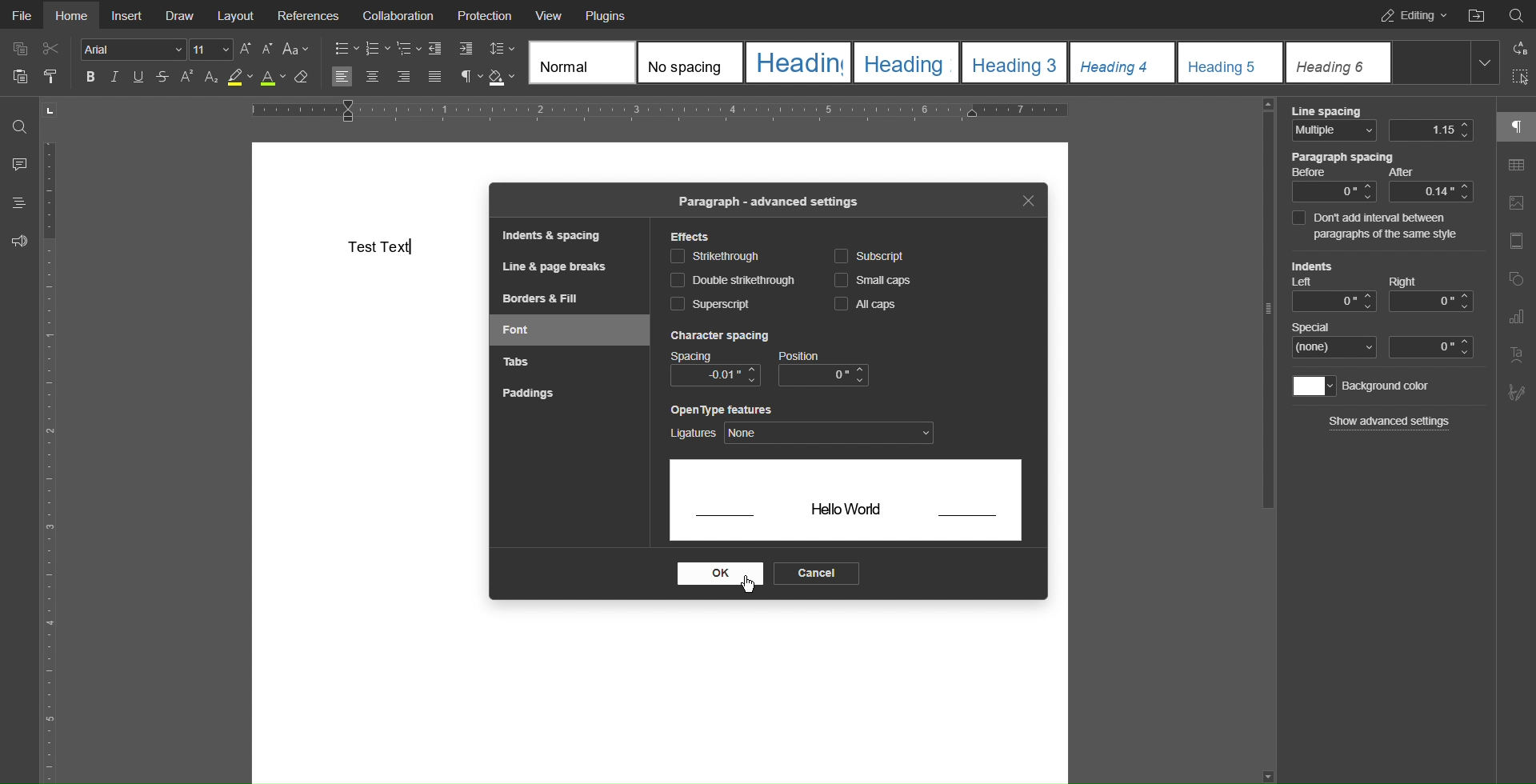 Image resolution: width=1536 pixels, height=784 pixels. Describe the element at coordinates (815, 574) in the screenshot. I see `Cancel` at that location.